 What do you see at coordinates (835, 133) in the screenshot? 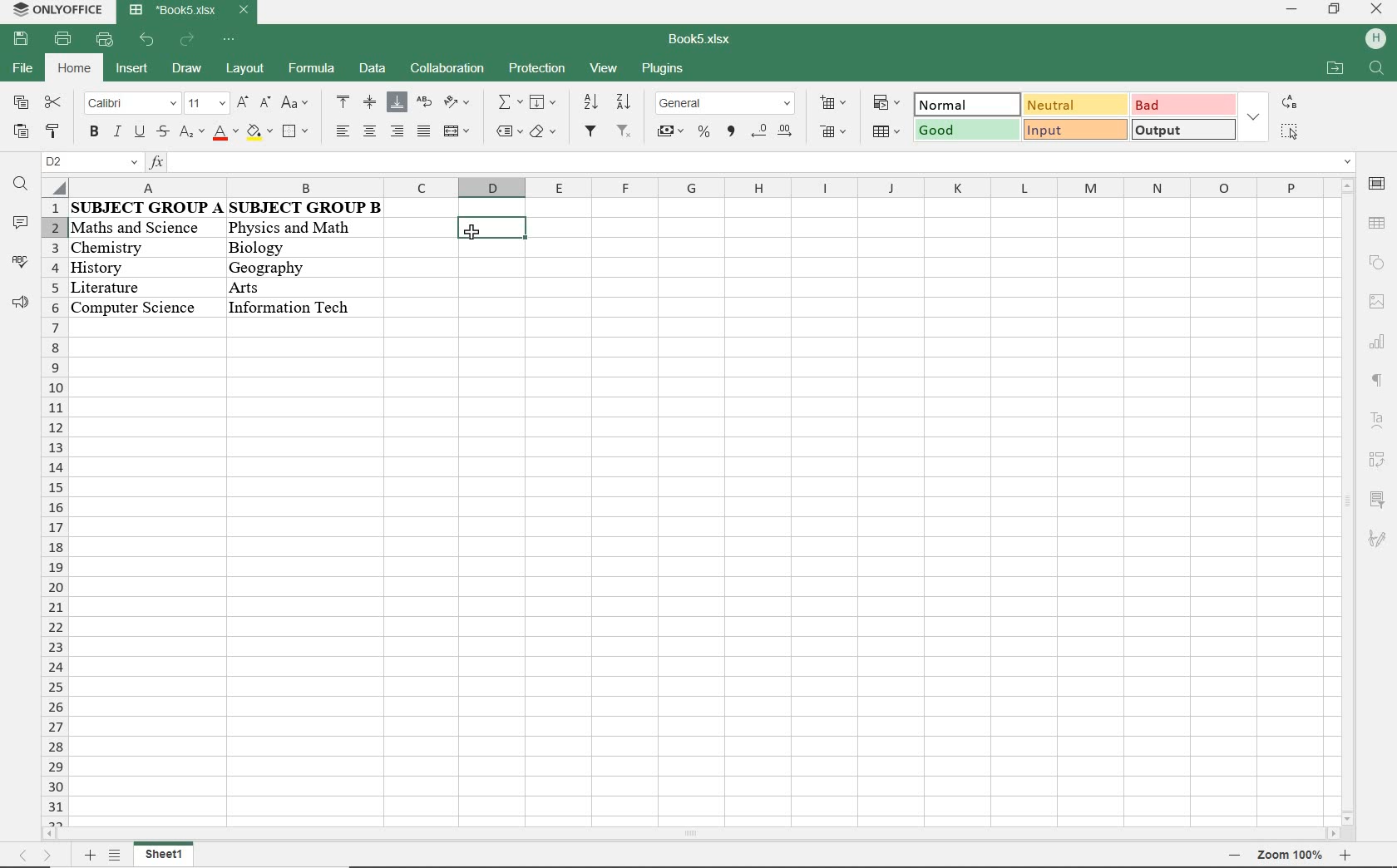
I see `delete cells` at bounding box center [835, 133].